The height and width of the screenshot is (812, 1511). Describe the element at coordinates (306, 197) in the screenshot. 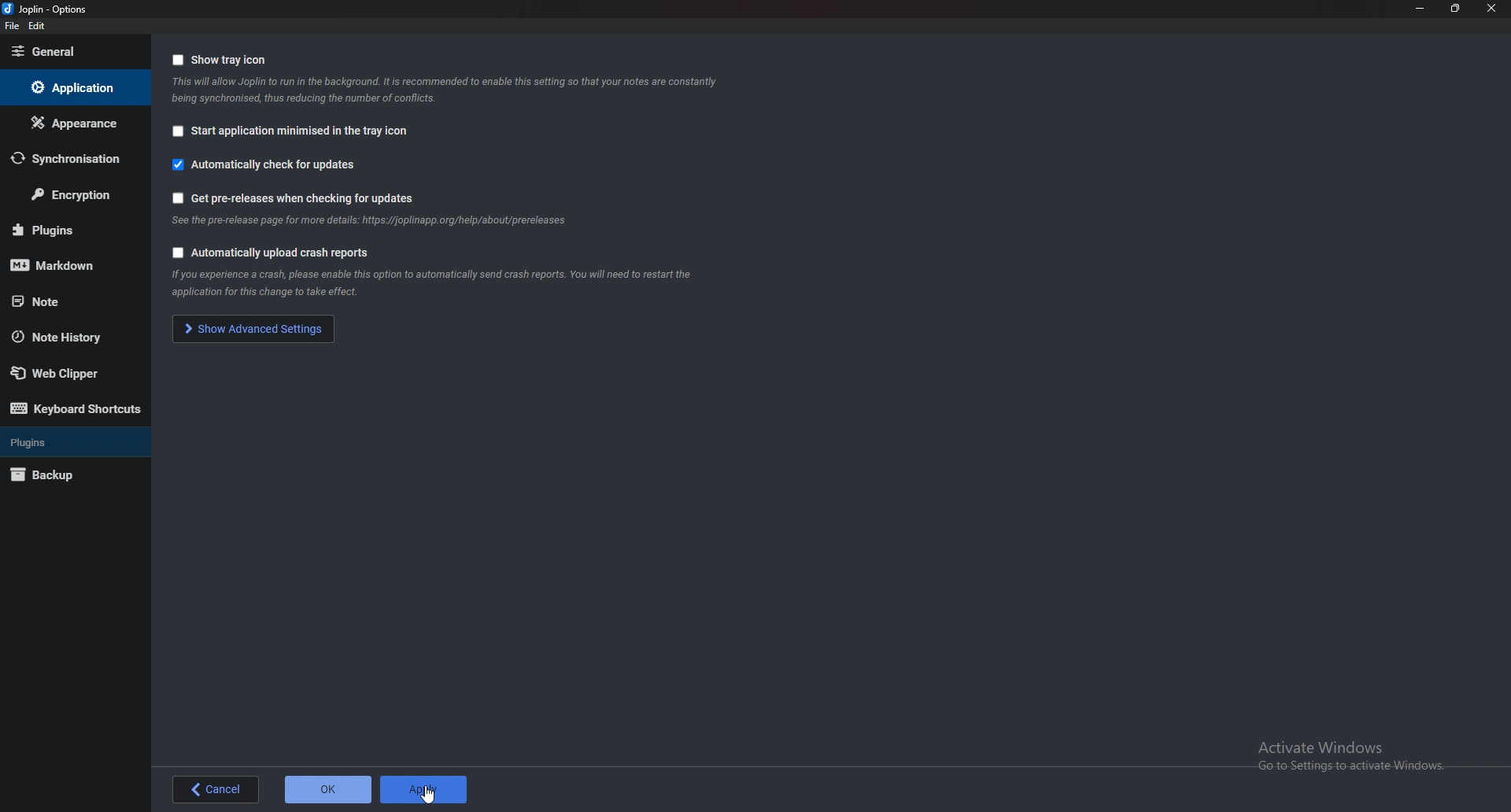

I see `Get pre releases when check` at that location.